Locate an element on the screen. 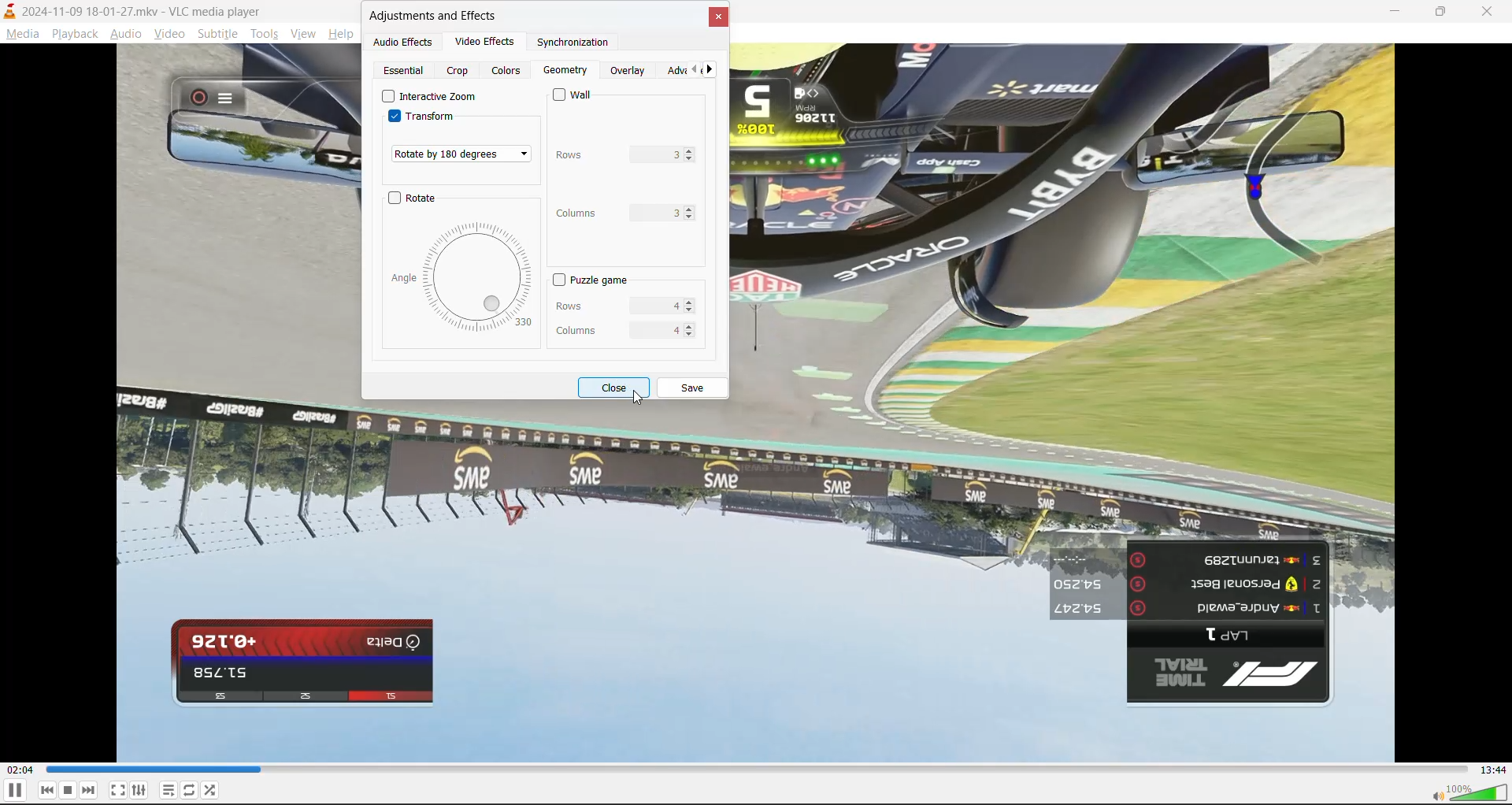 This screenshot has height=805, width=1512. adjustments and  effects is located at coordinates (435, 17).